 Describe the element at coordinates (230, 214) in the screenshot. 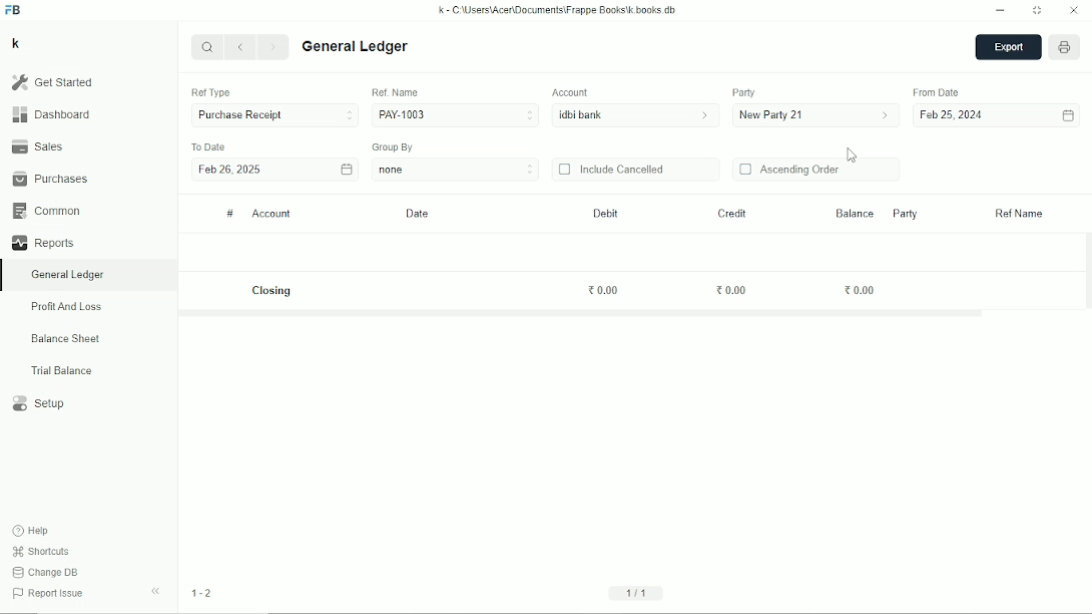

I see `#` at that location.